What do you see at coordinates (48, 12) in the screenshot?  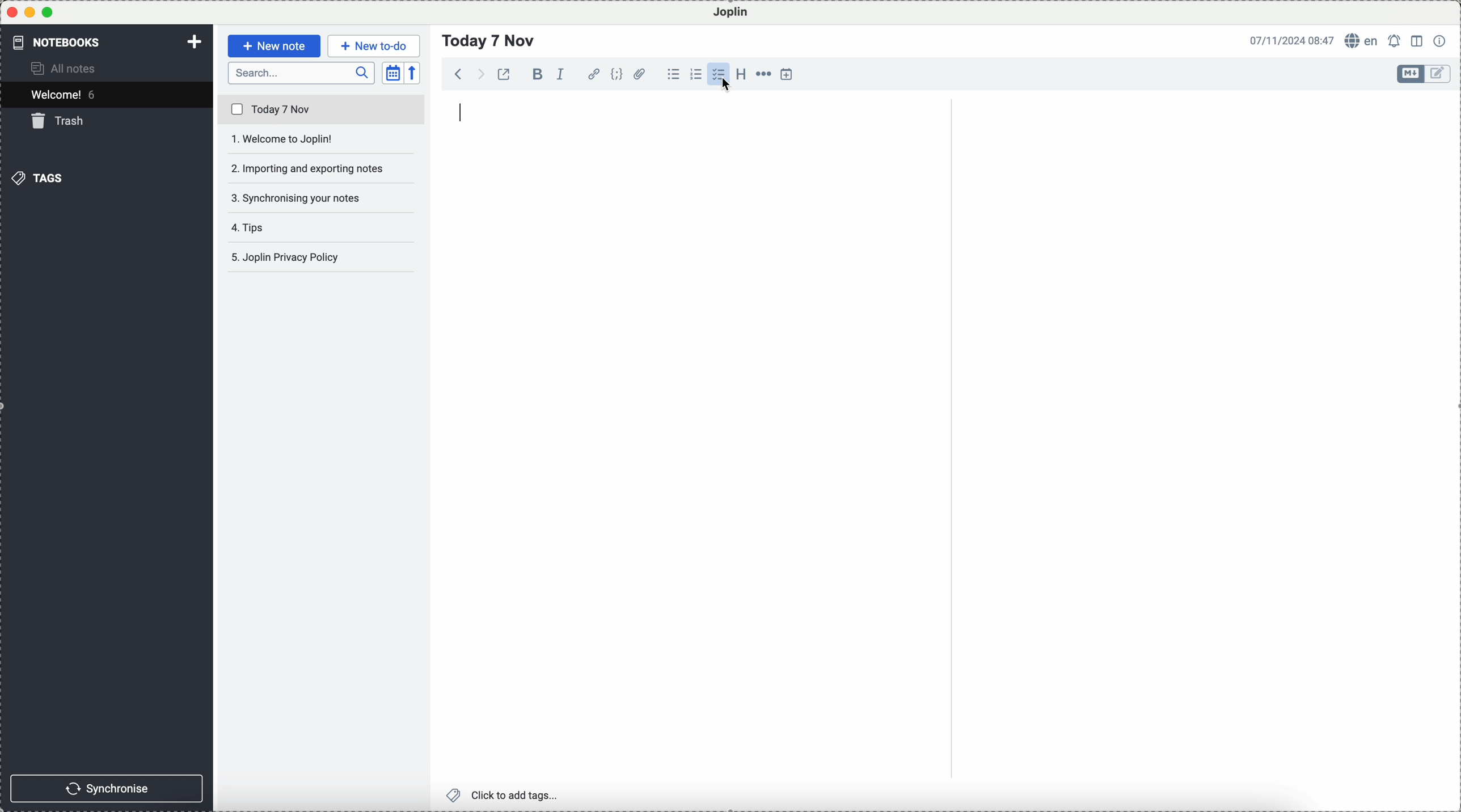 I see `maximize` at bounding box center [48, 12].